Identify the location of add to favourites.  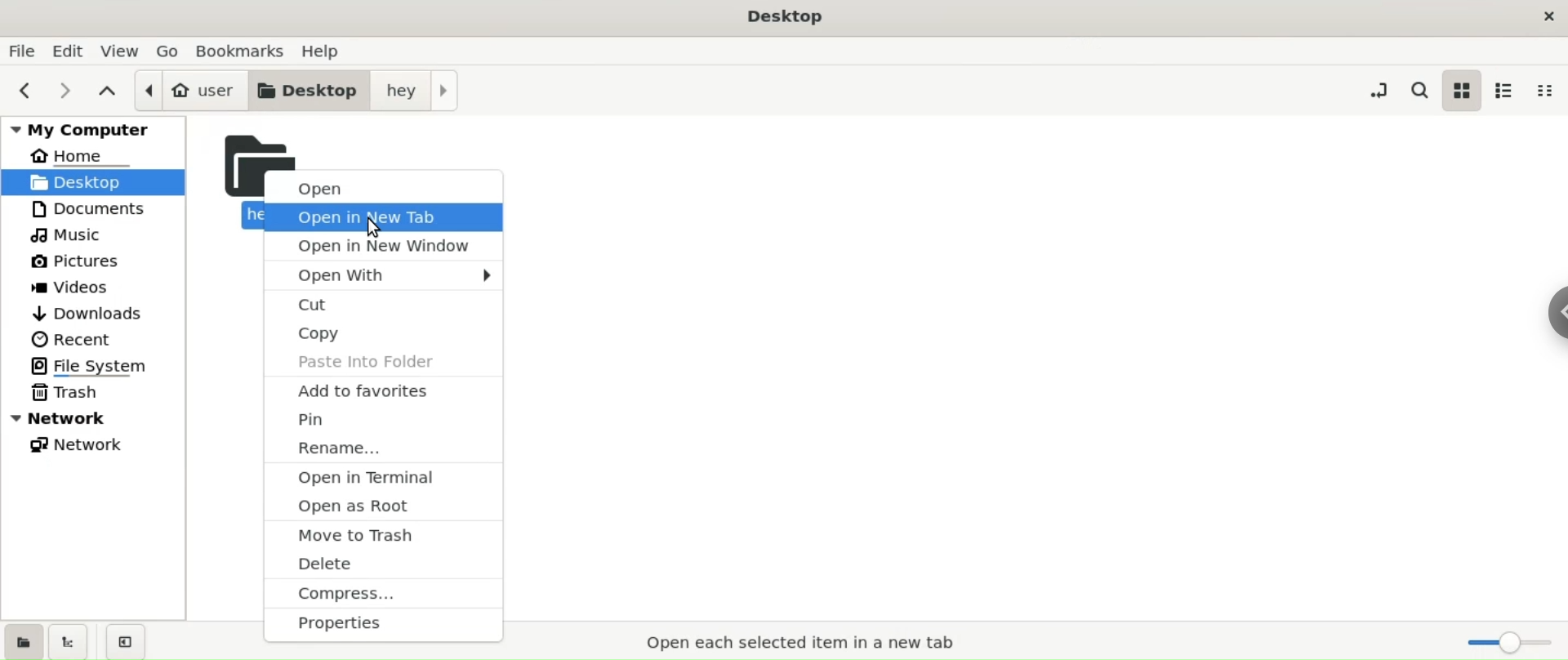
(385, 392).